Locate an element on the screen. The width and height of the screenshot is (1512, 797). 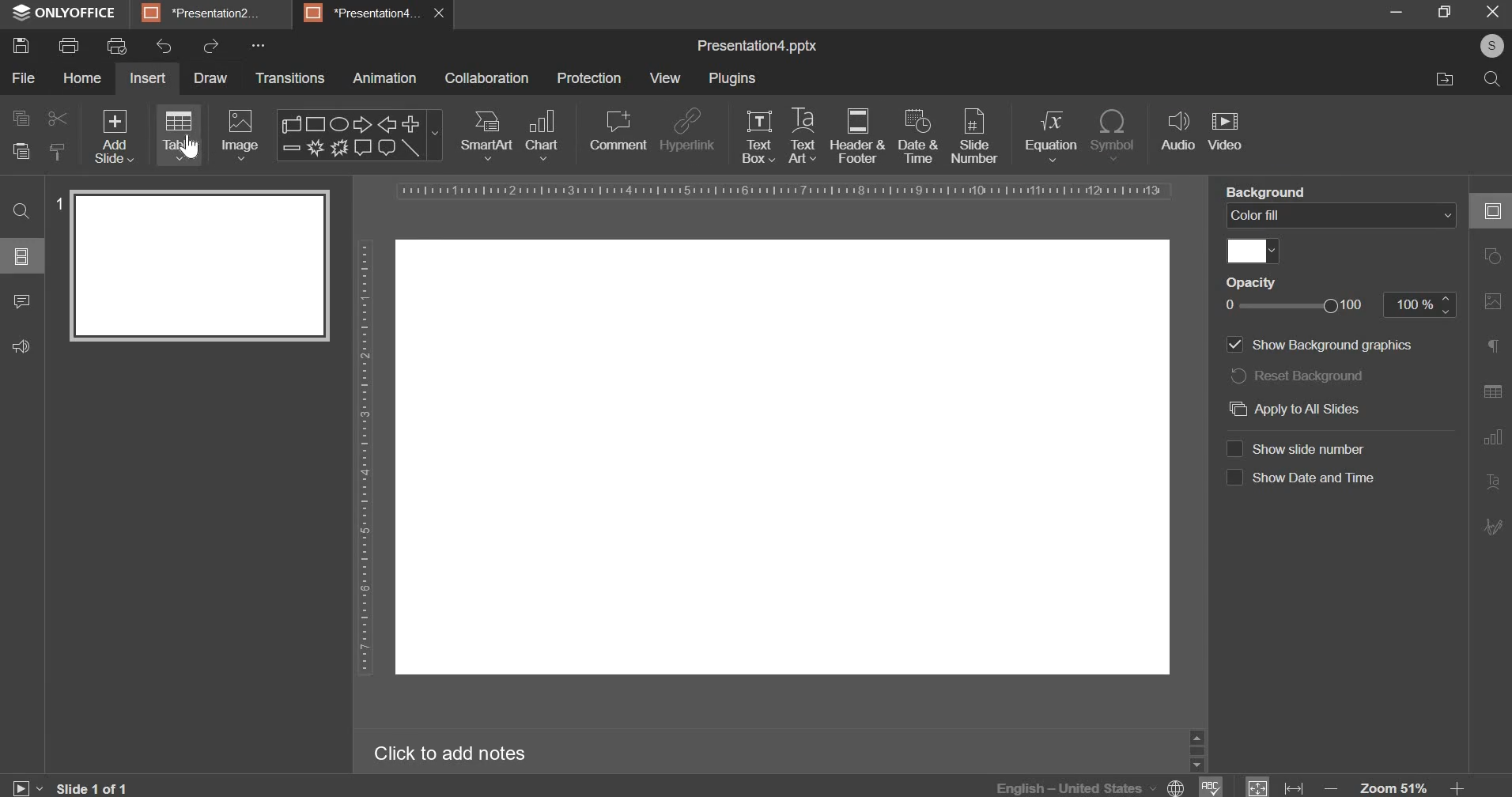
show slide number is located at coordinates (1295, 448).